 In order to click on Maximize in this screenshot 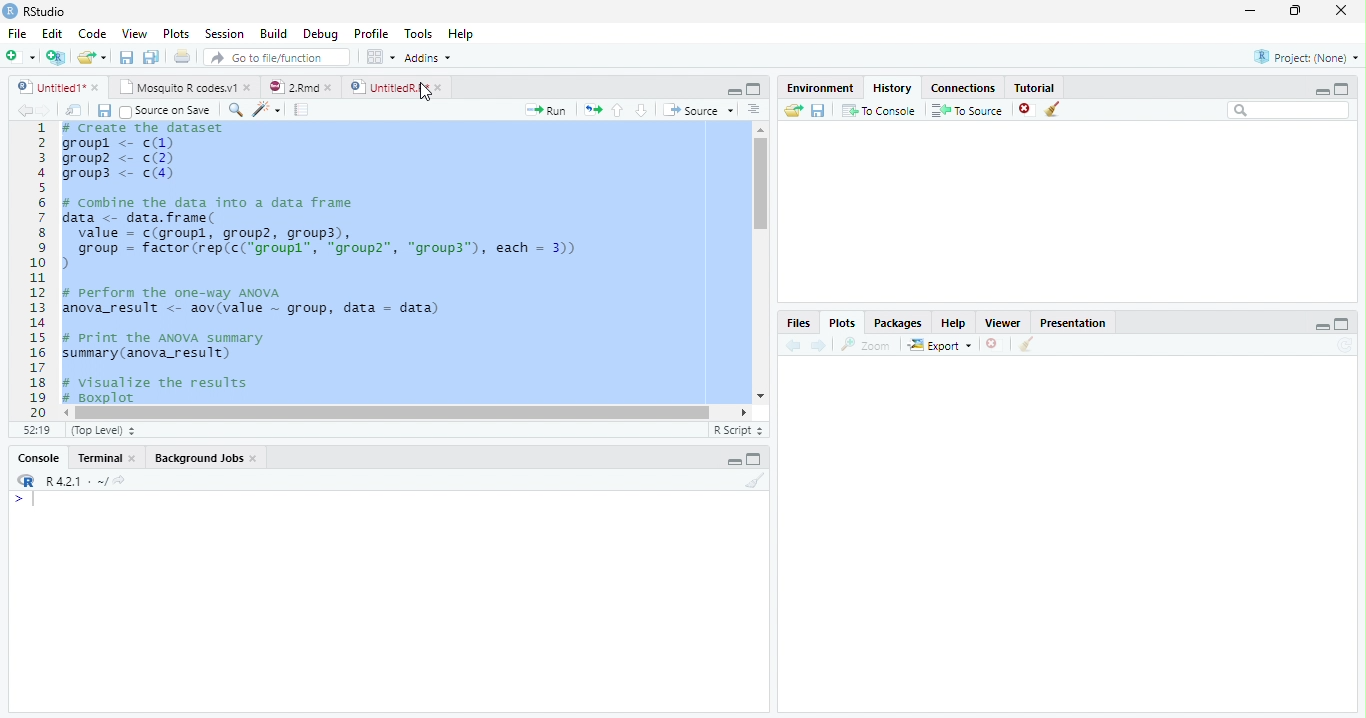, I will do `click(1342, 325)`.